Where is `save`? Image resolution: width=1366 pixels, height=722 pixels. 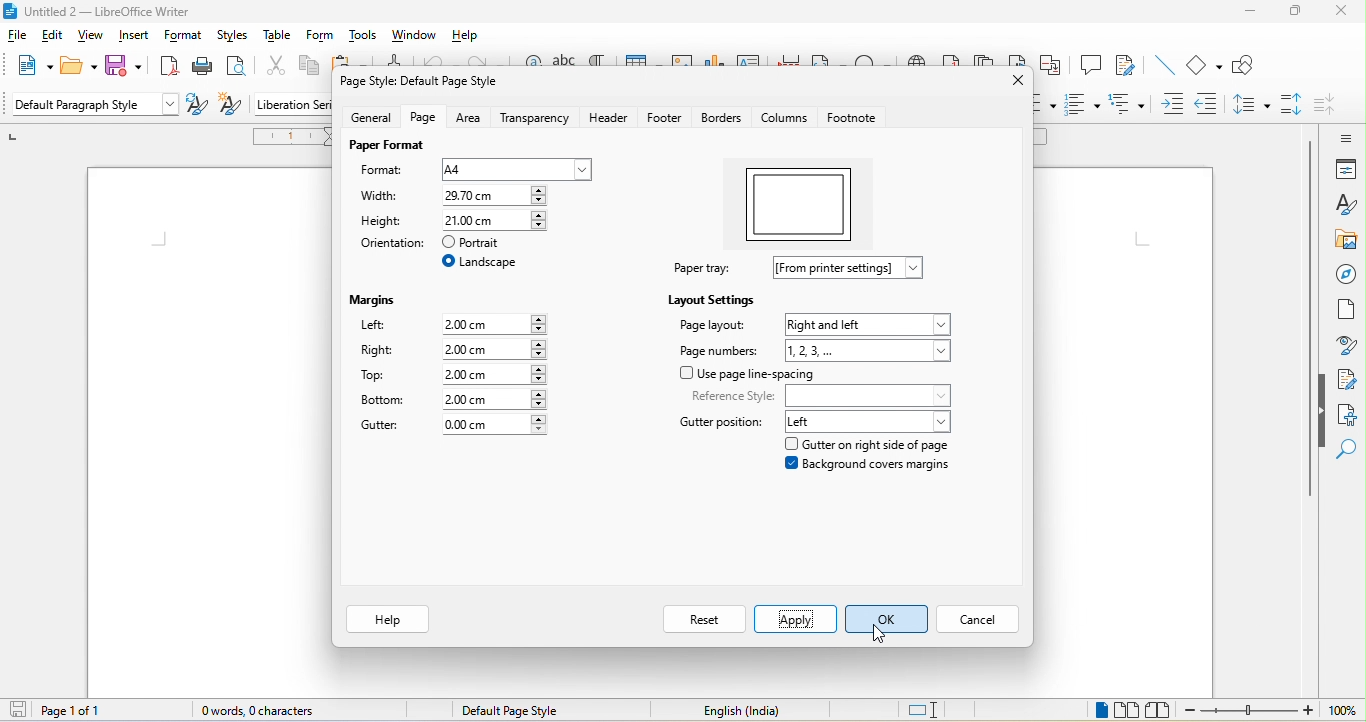 save is located at coordinates (123, 66).